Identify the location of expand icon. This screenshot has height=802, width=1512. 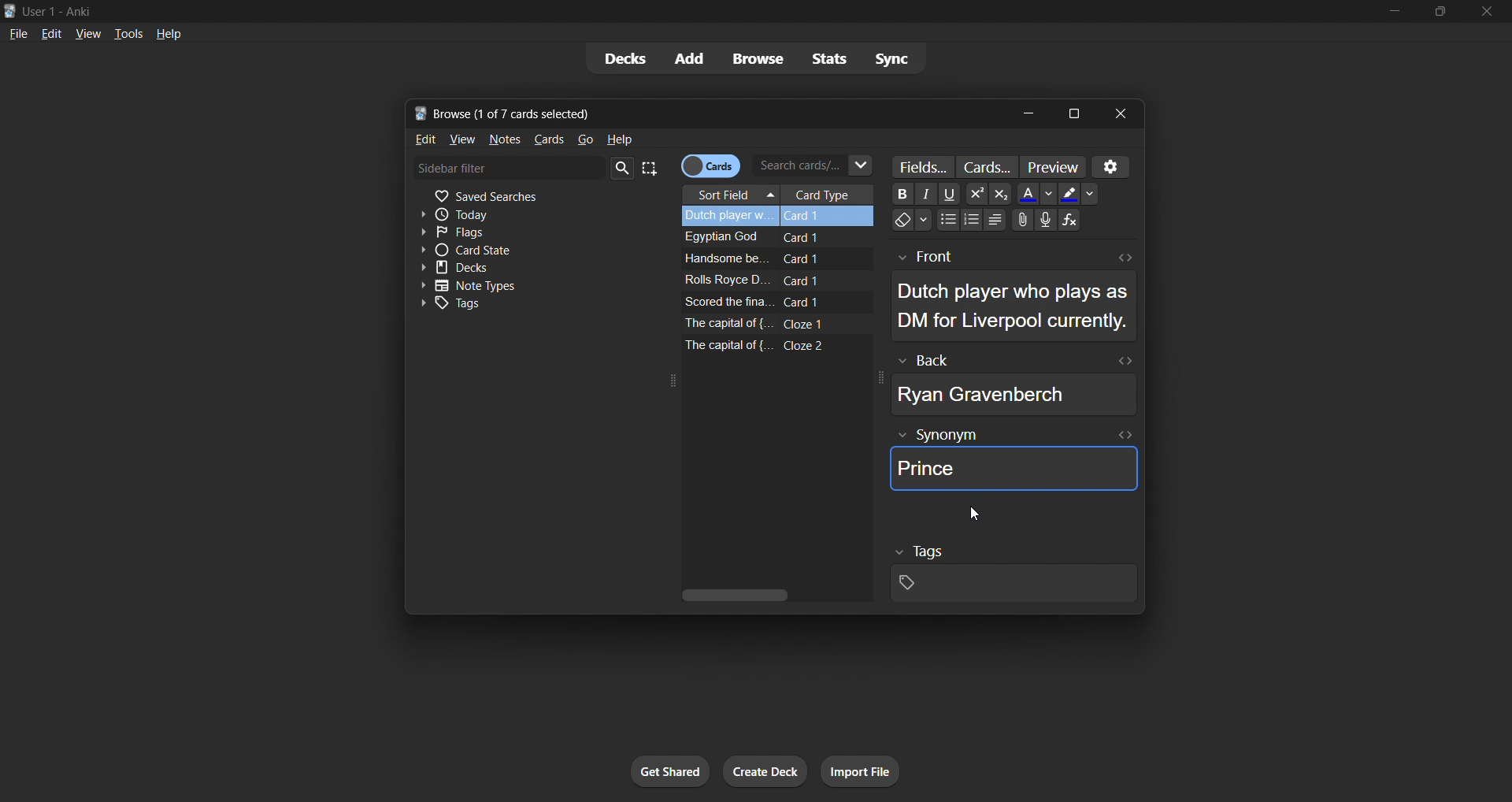
(669, 381).